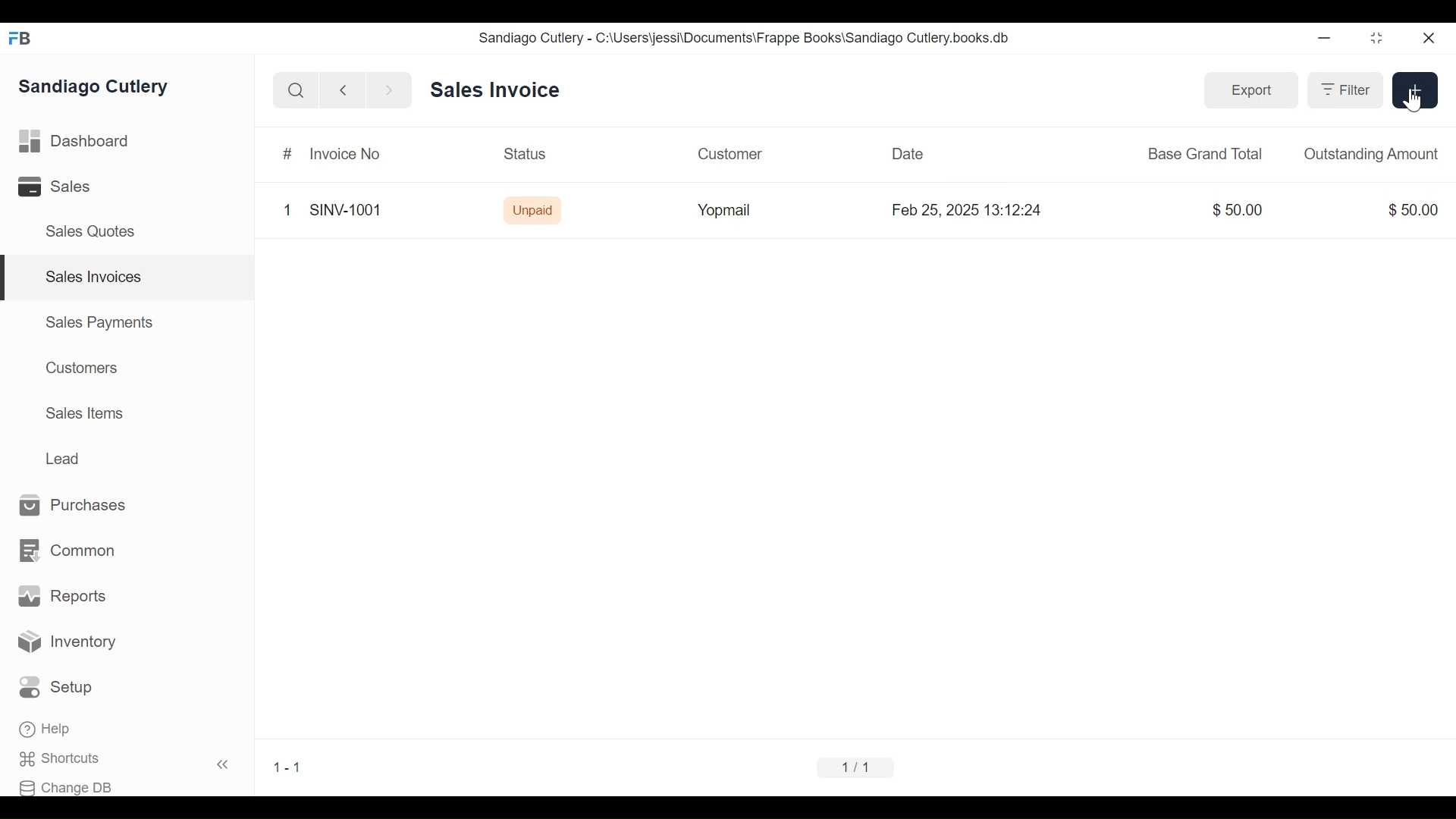  What do you see at coordinates (65, 759) in the screenshot?
I see `Shortcuts` at bounding box center [65, 759].